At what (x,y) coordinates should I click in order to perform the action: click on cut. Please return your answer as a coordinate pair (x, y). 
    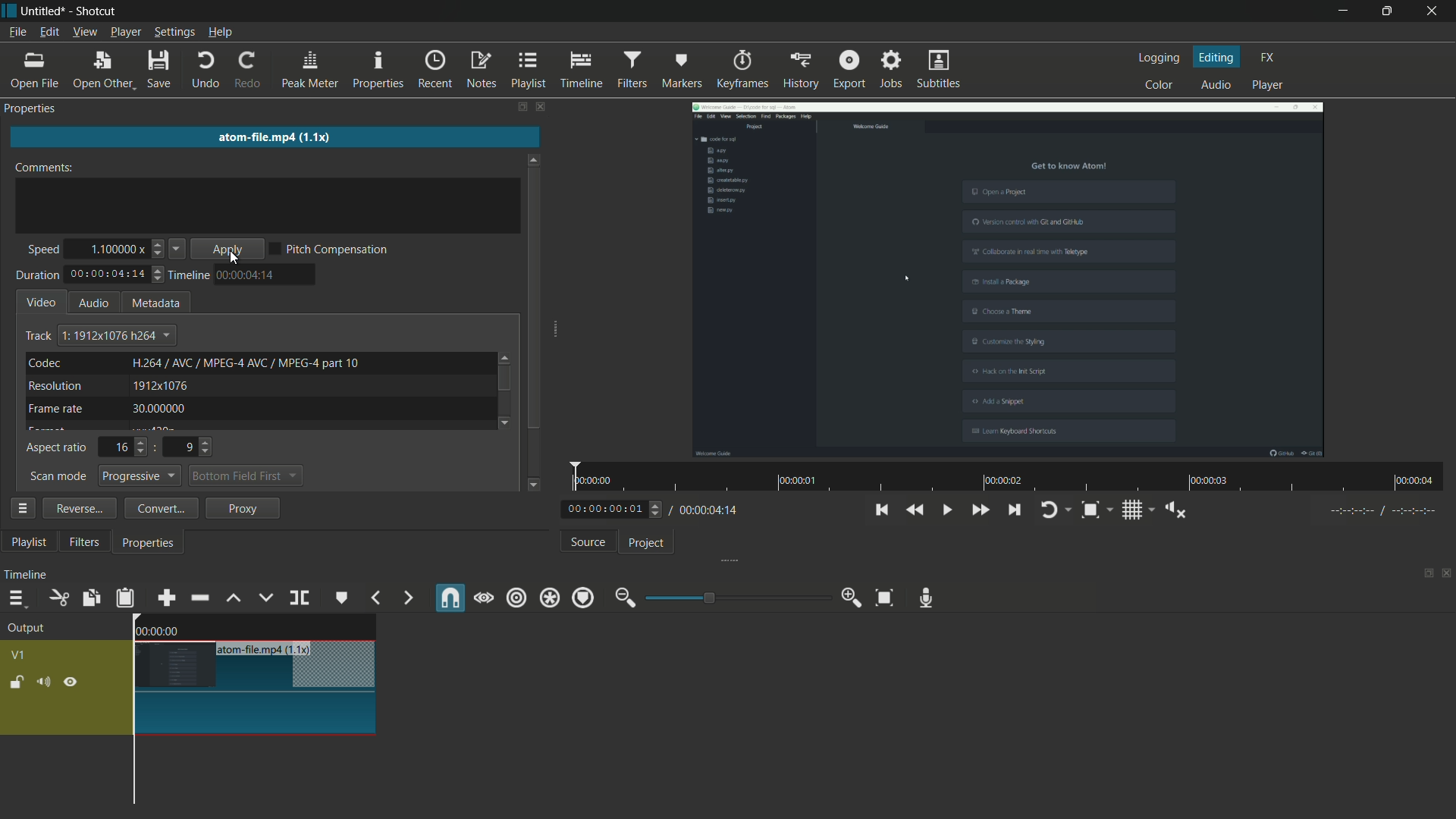
    Looking at the image, I should click on (58, 598).